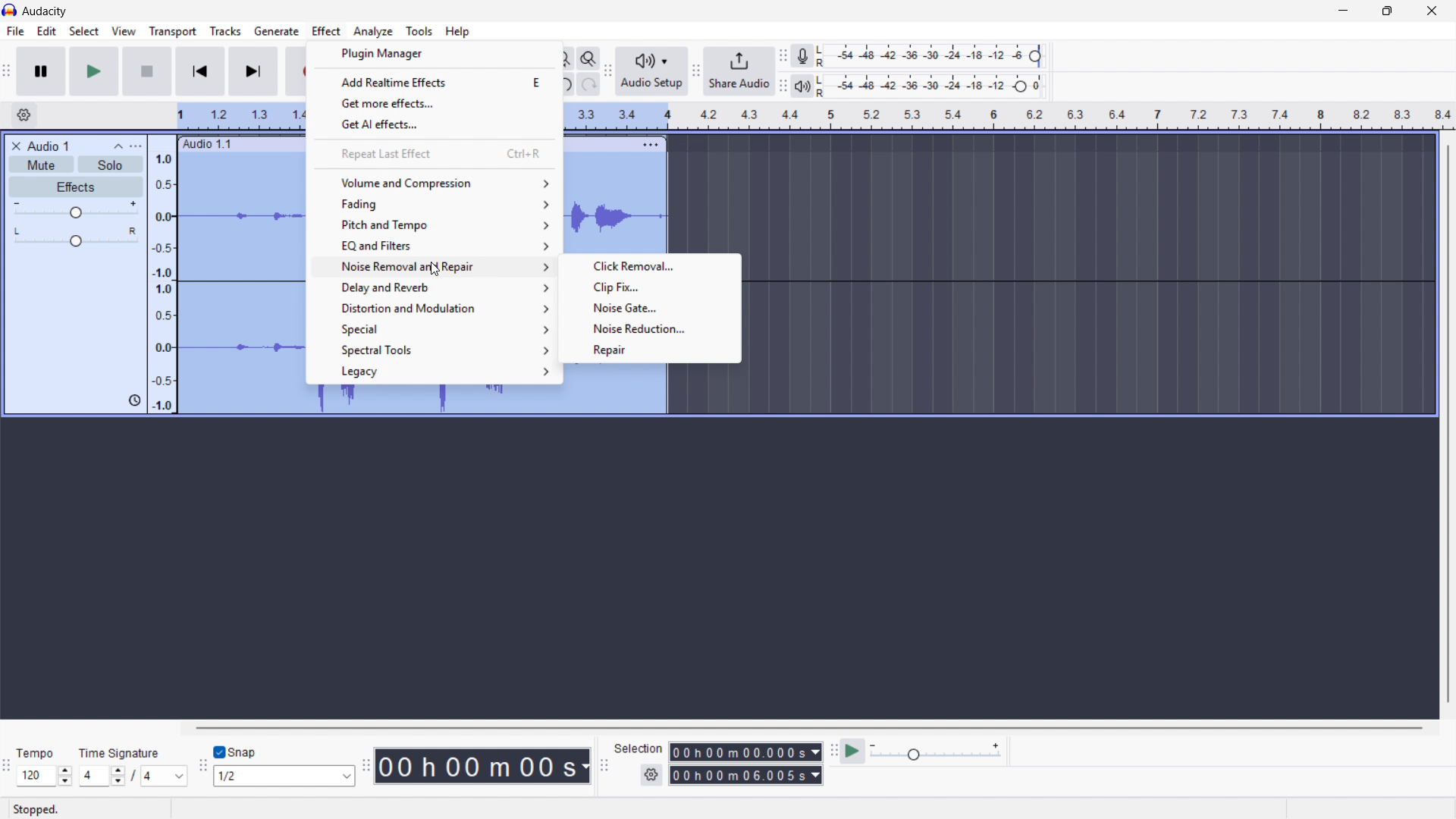  Describe the element at coordinates (588, 58) in the screenshot. I see `toggle zoom` at that location.